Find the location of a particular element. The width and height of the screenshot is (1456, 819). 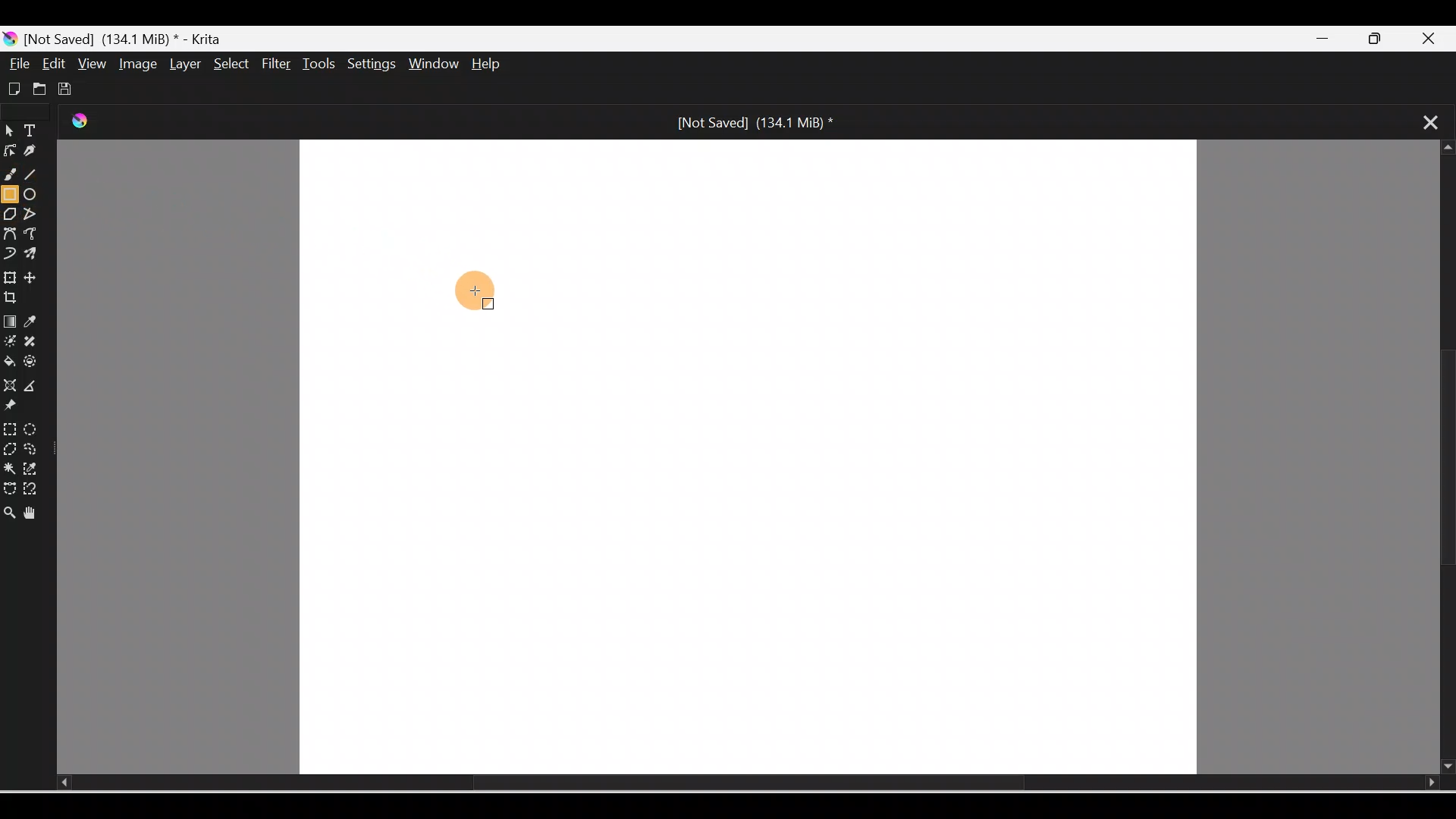

Edit is located at coordinates (55, 64).